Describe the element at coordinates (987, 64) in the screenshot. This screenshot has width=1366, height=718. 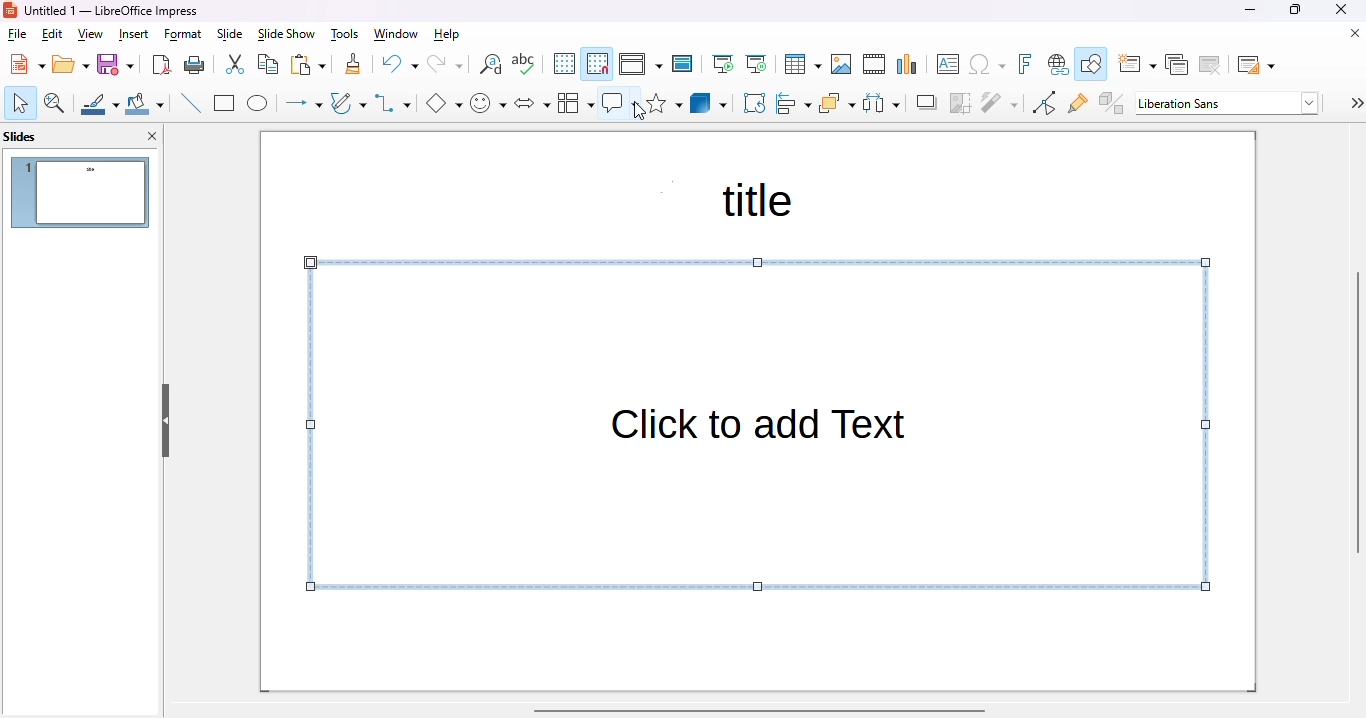
I see `insert special characters` at that location.